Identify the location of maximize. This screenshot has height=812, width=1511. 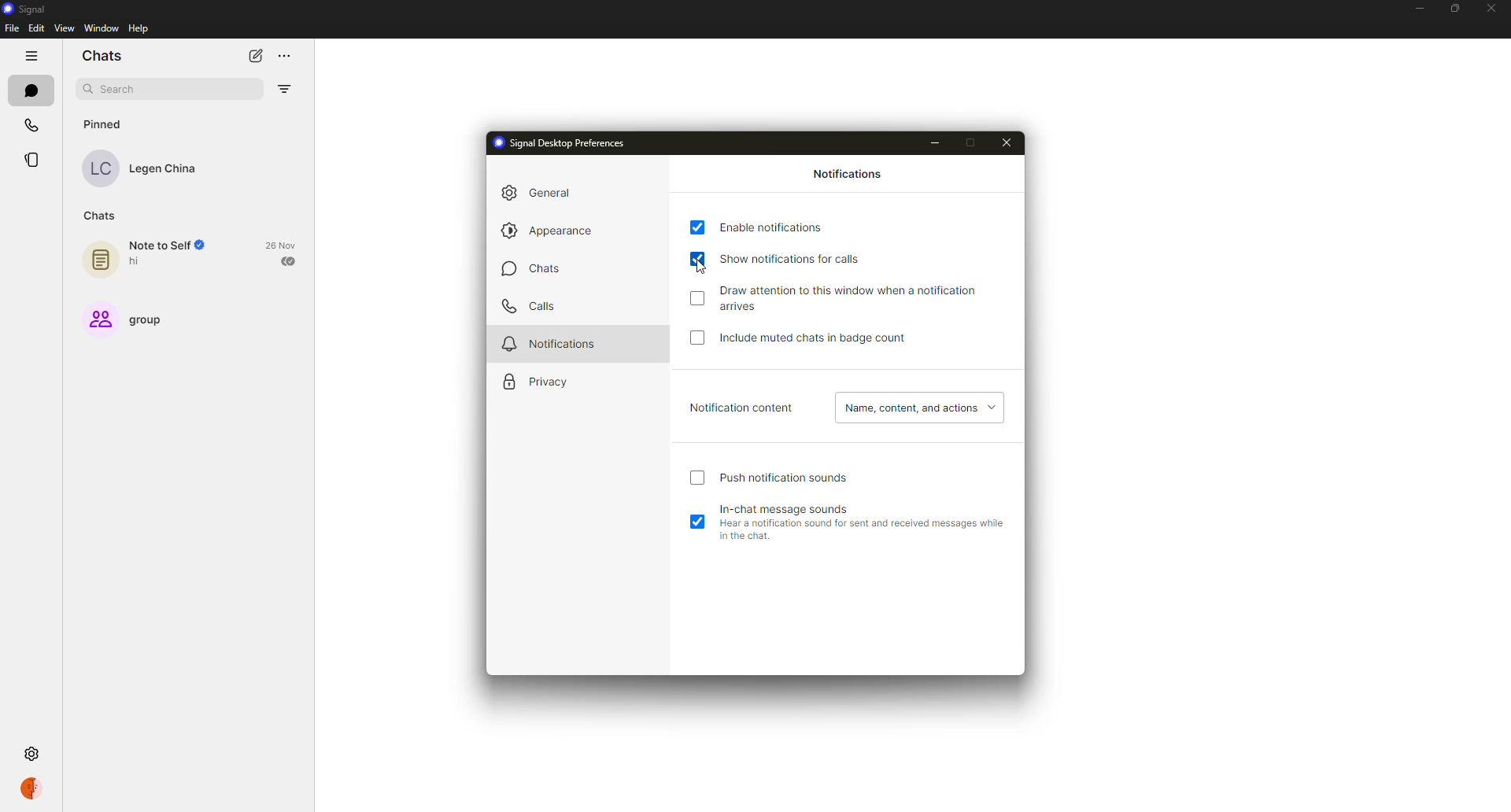
(1452, 9).